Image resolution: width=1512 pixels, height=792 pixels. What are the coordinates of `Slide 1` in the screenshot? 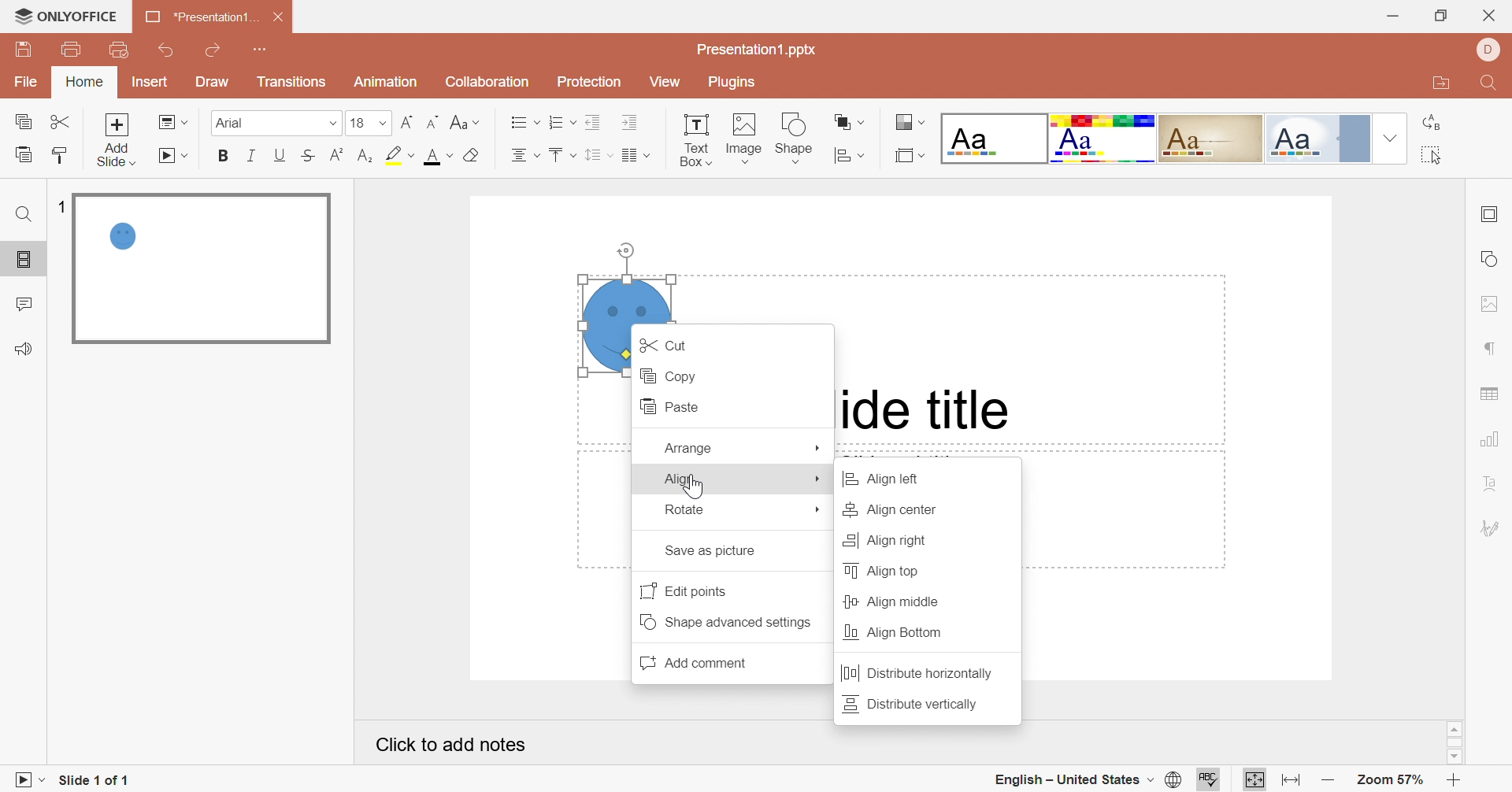 It's located at (200, 269).